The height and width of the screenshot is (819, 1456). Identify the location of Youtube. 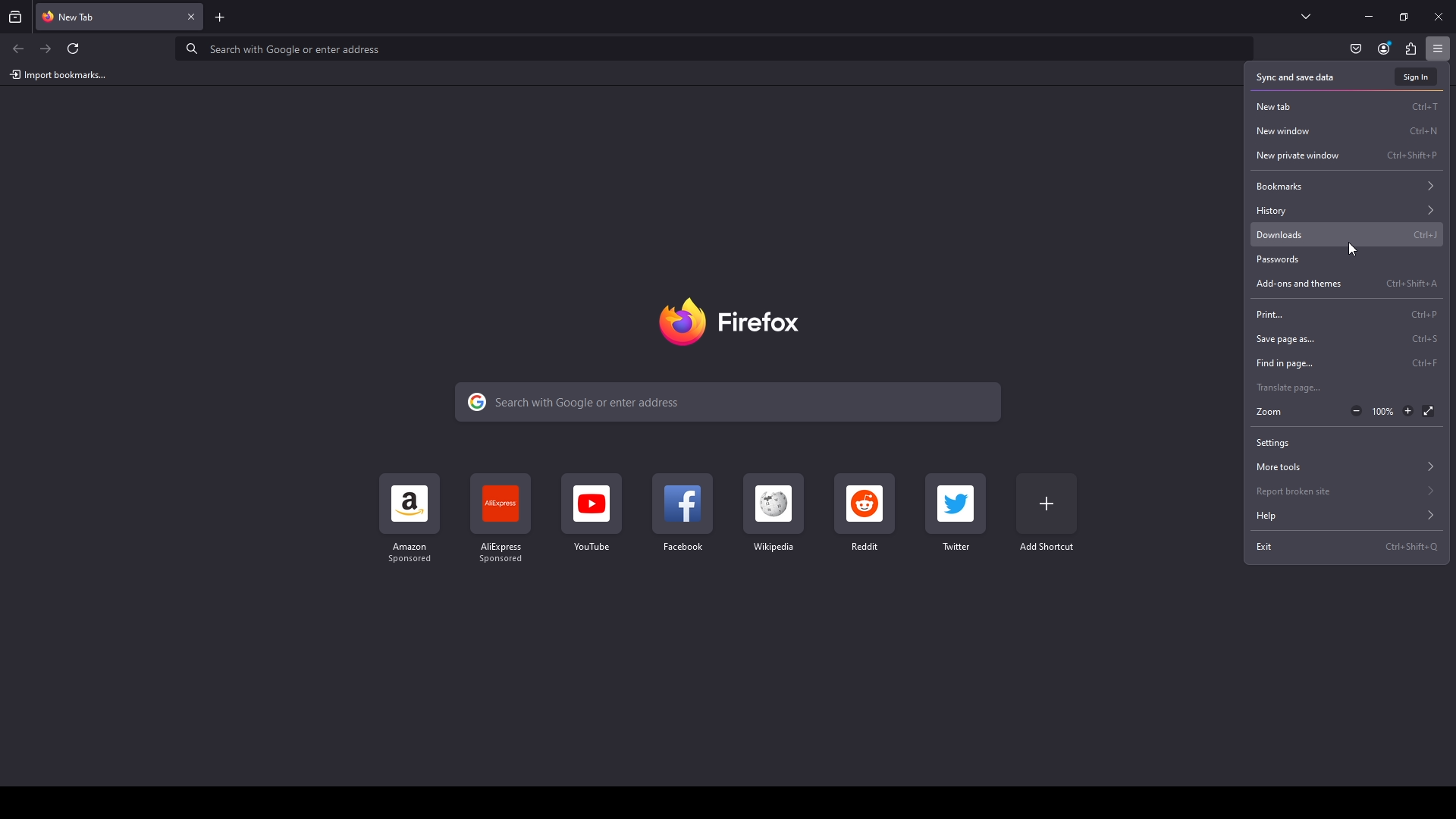
(591, 514).